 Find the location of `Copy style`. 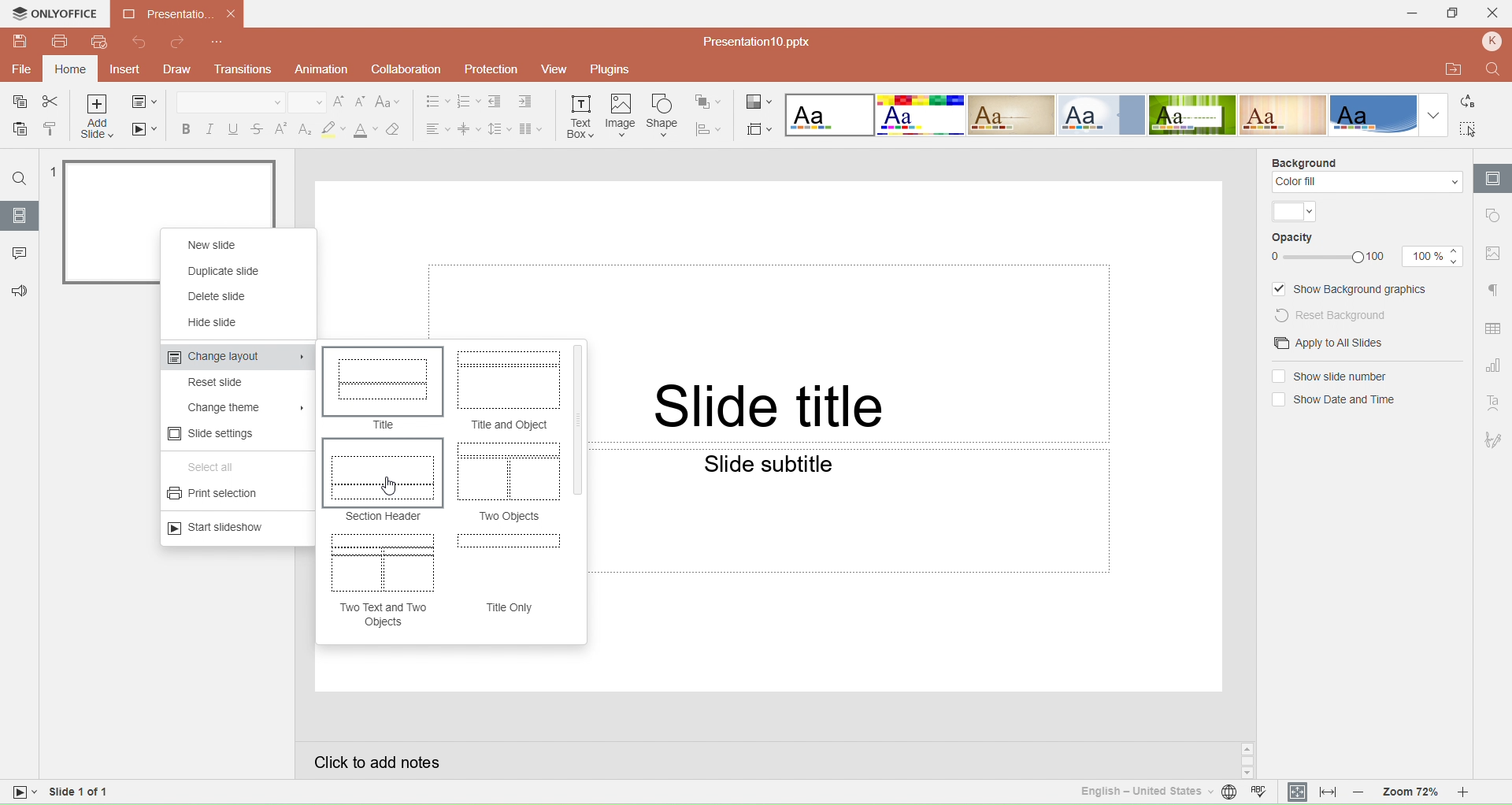

Copy style is located at coordinates (50, 128).